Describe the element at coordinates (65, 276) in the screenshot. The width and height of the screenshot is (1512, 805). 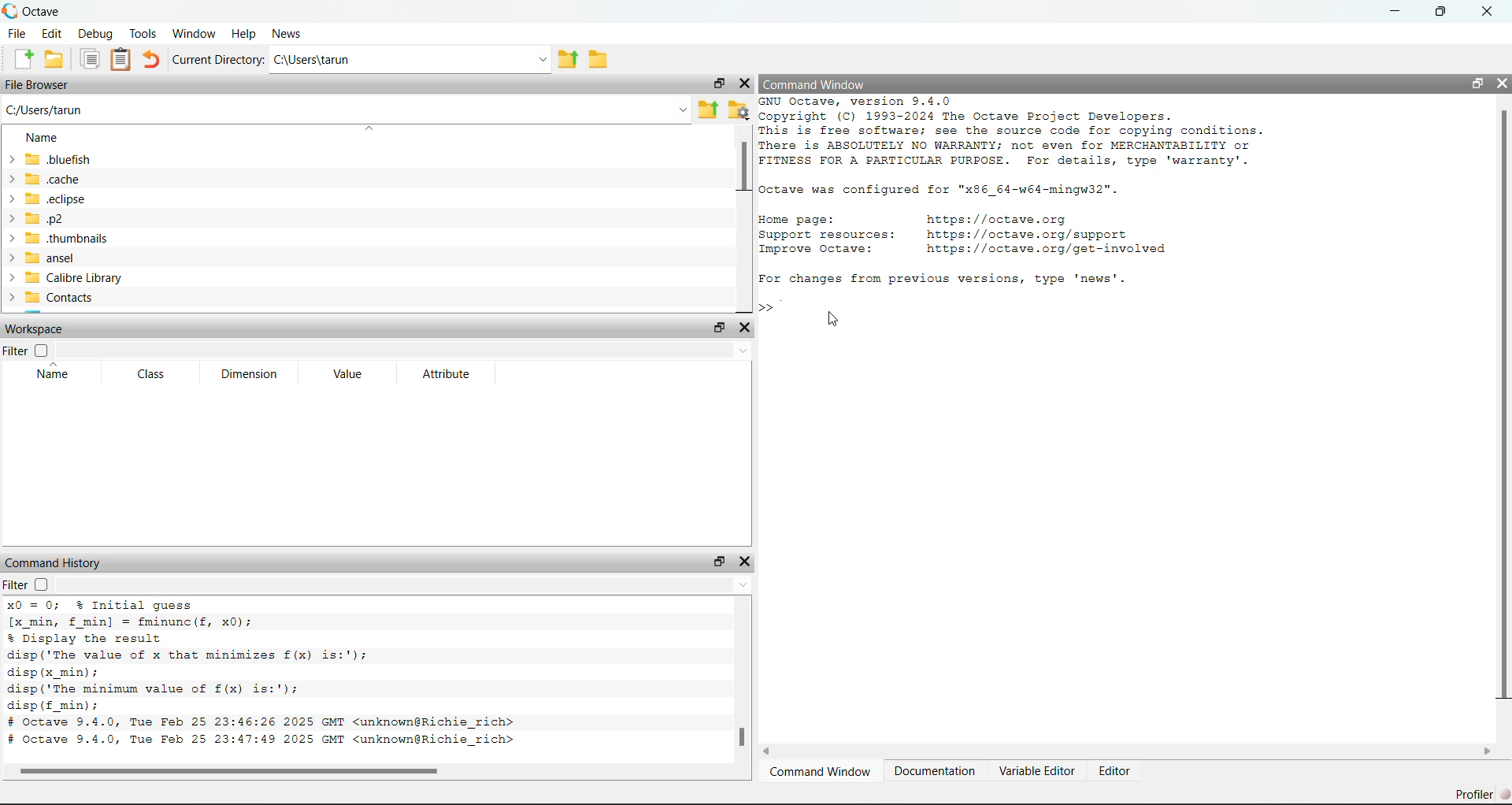
I see `>  Calibre Library` at that location.